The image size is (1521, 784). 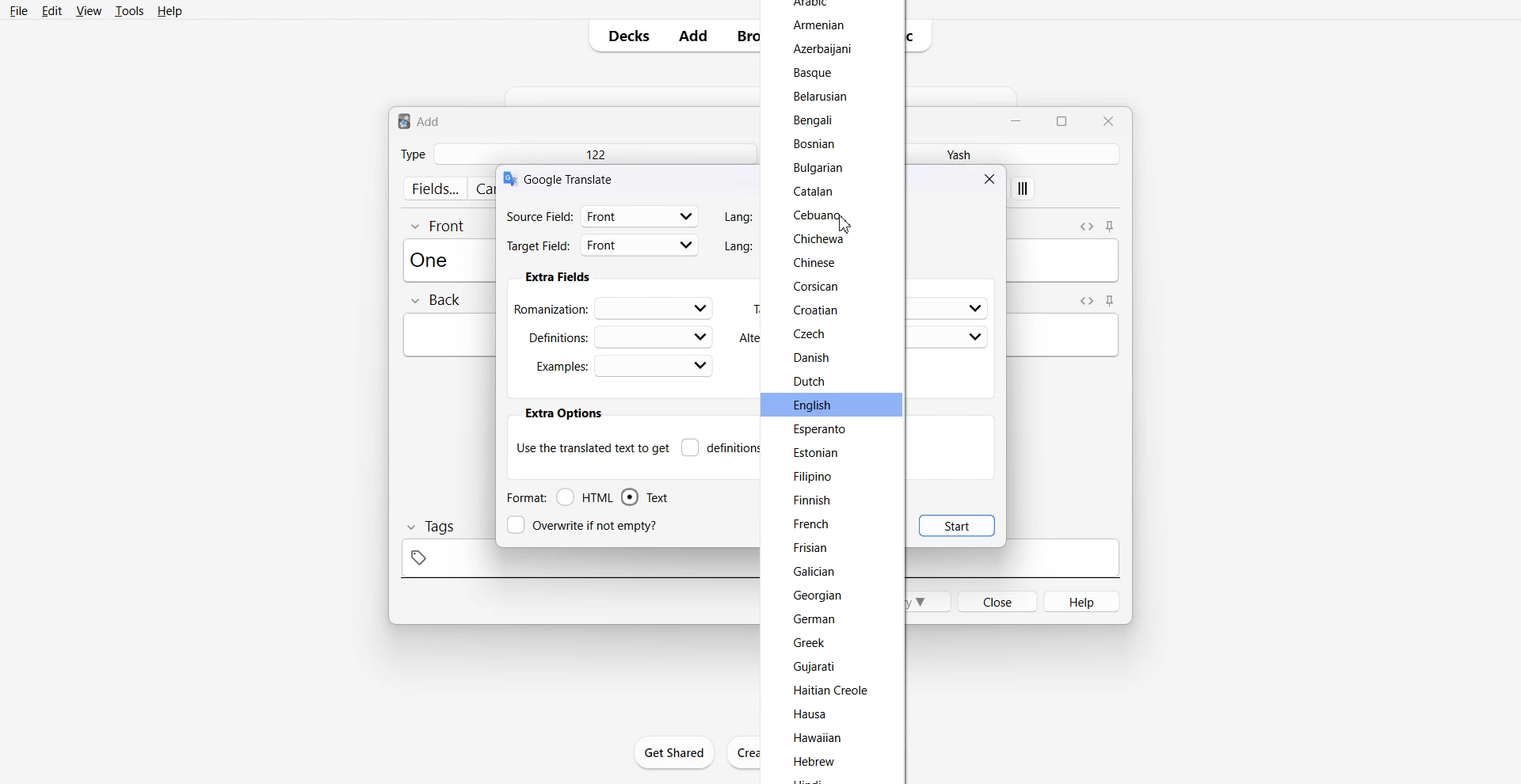 What do you see at coordinates (810, 645) in the screenshot?
I see `Greek` at bounding box center [810, 645].